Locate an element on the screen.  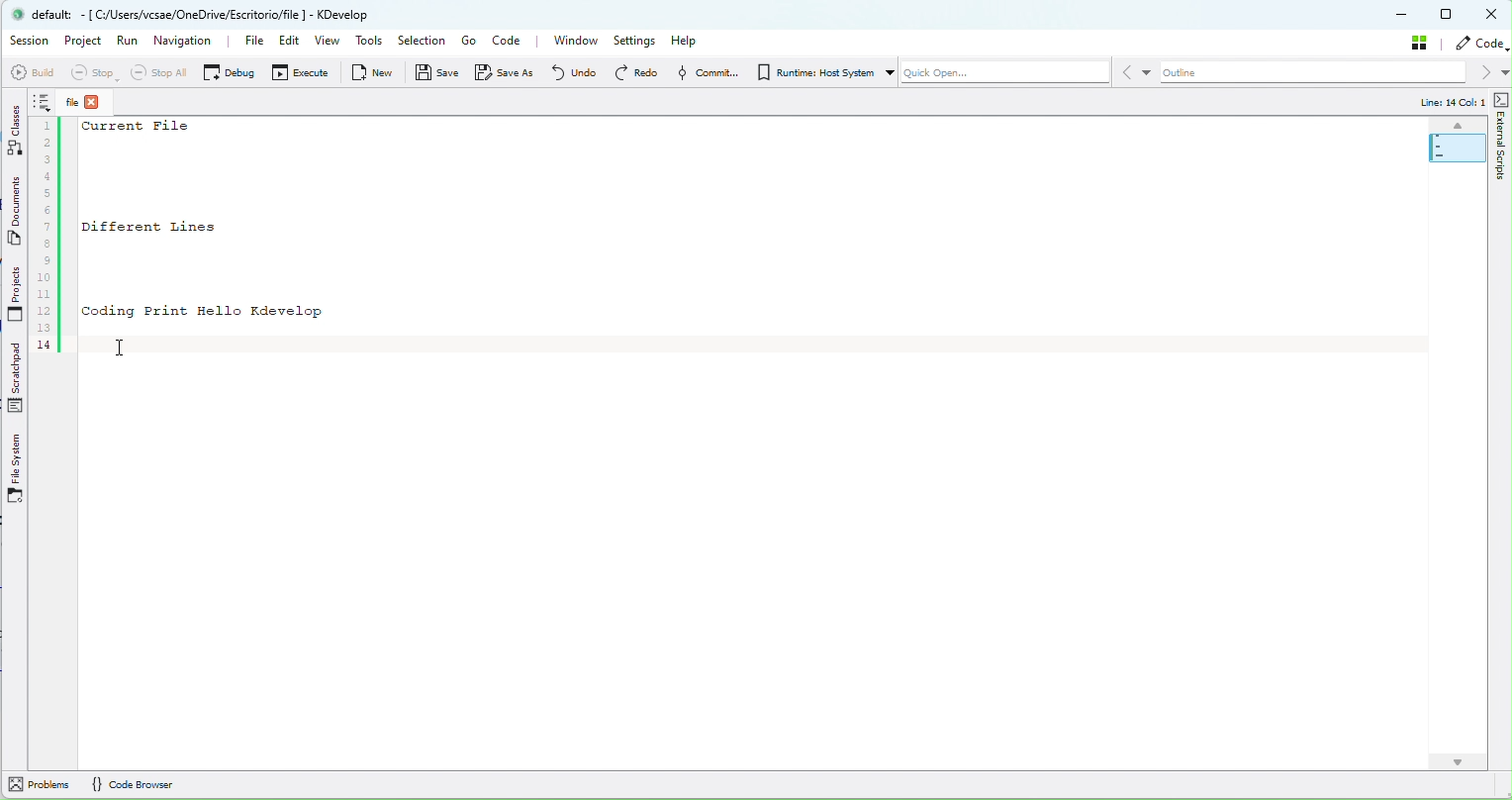
Different Lines is located at coordinates (176, 226).